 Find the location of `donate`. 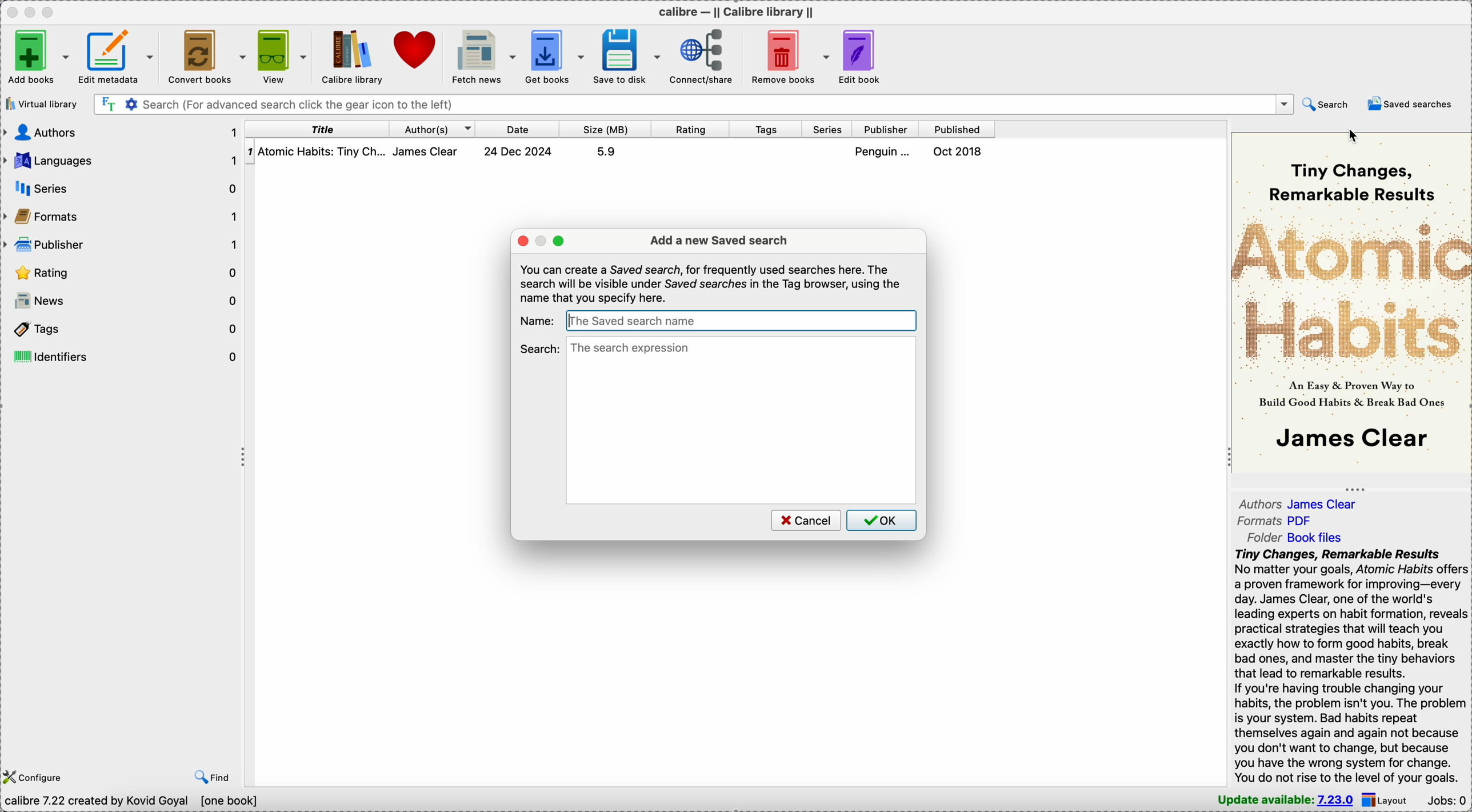

donate is located at coordinates (418, 52).